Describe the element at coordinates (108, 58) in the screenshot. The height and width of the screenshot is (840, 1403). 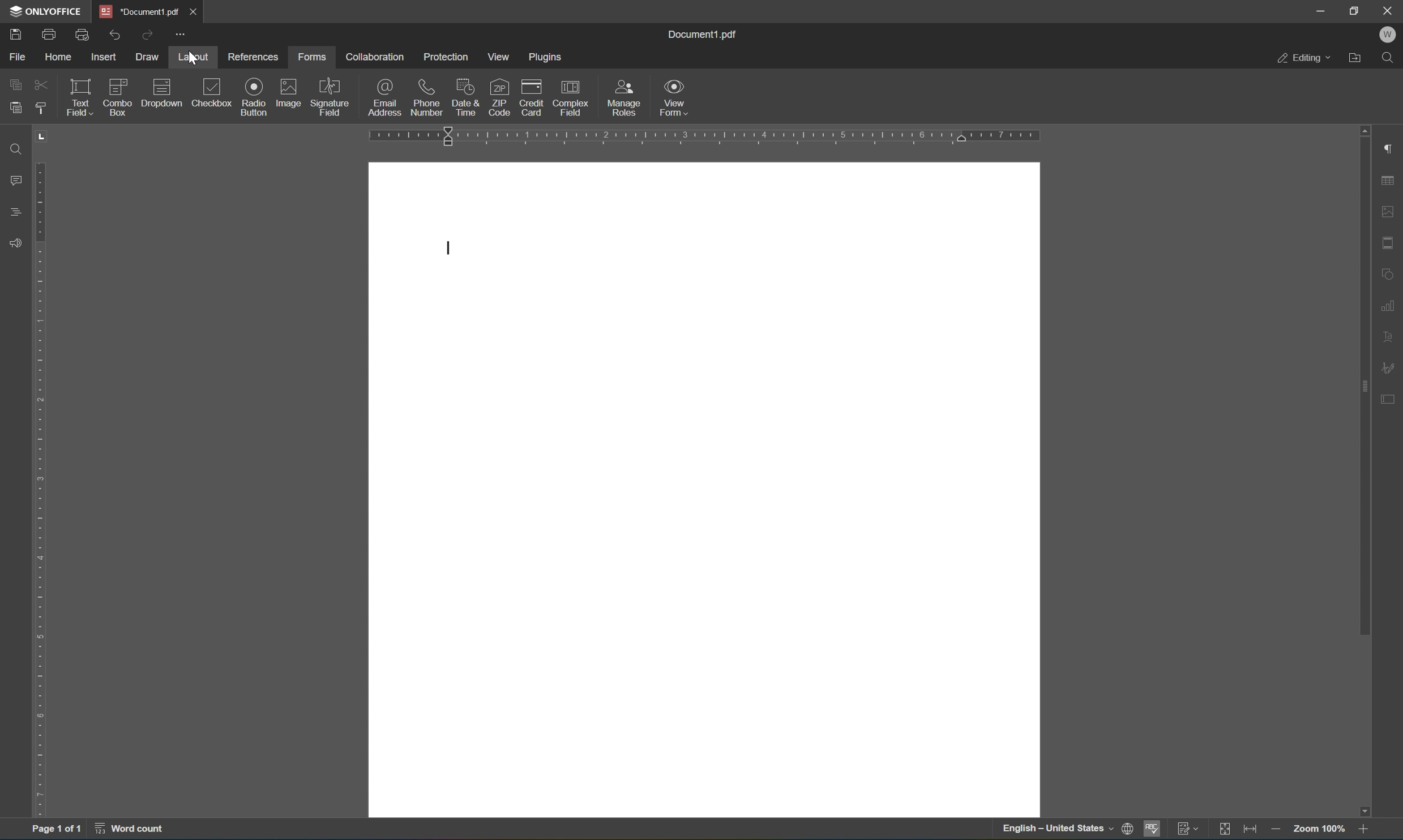
I see `insert` at that location.